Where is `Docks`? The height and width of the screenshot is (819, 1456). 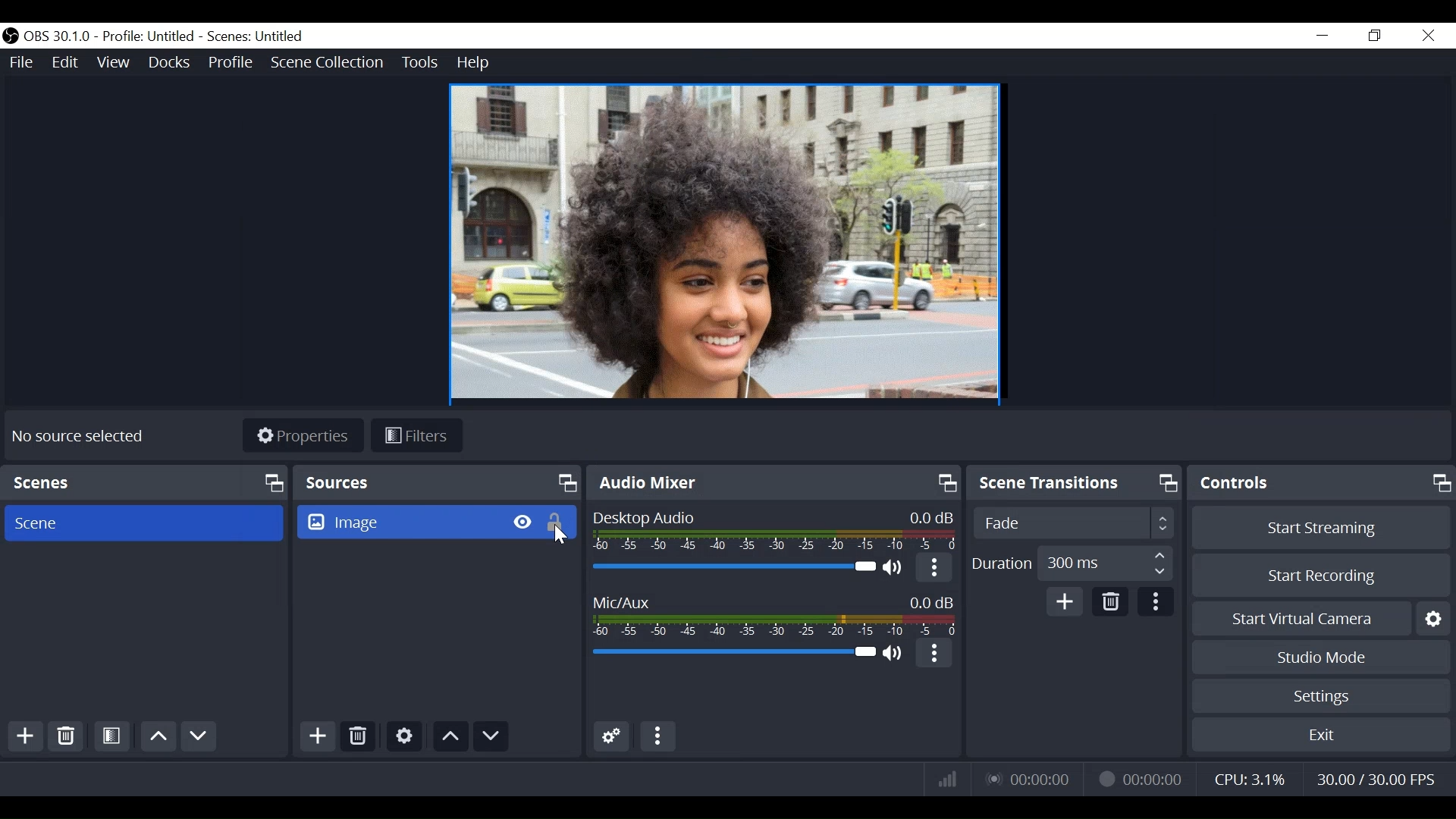 Docks is located at coordinates (168, 61).